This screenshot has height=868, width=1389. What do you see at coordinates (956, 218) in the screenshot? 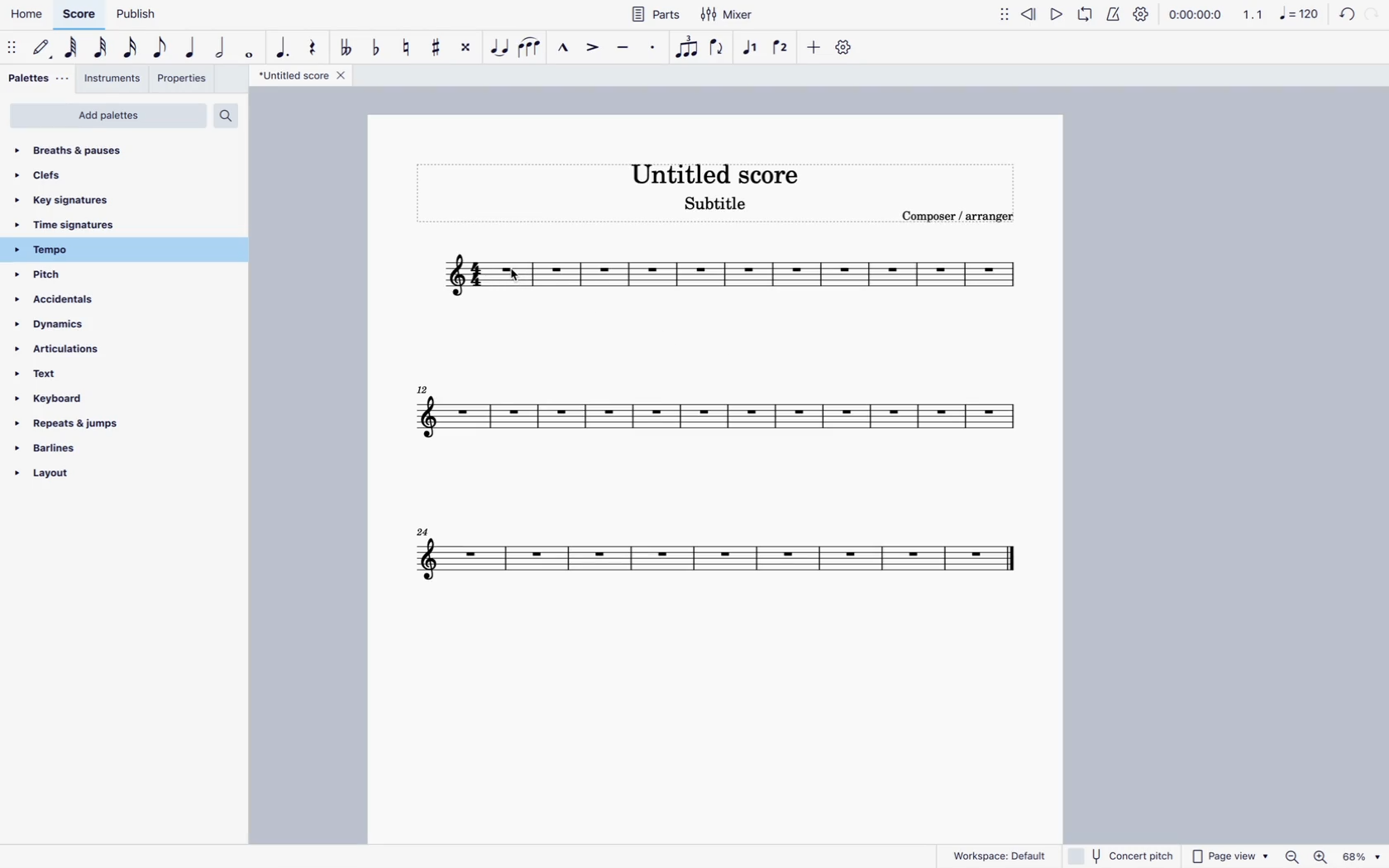
I see `composer / arranger` at bounding box center [956, 218].